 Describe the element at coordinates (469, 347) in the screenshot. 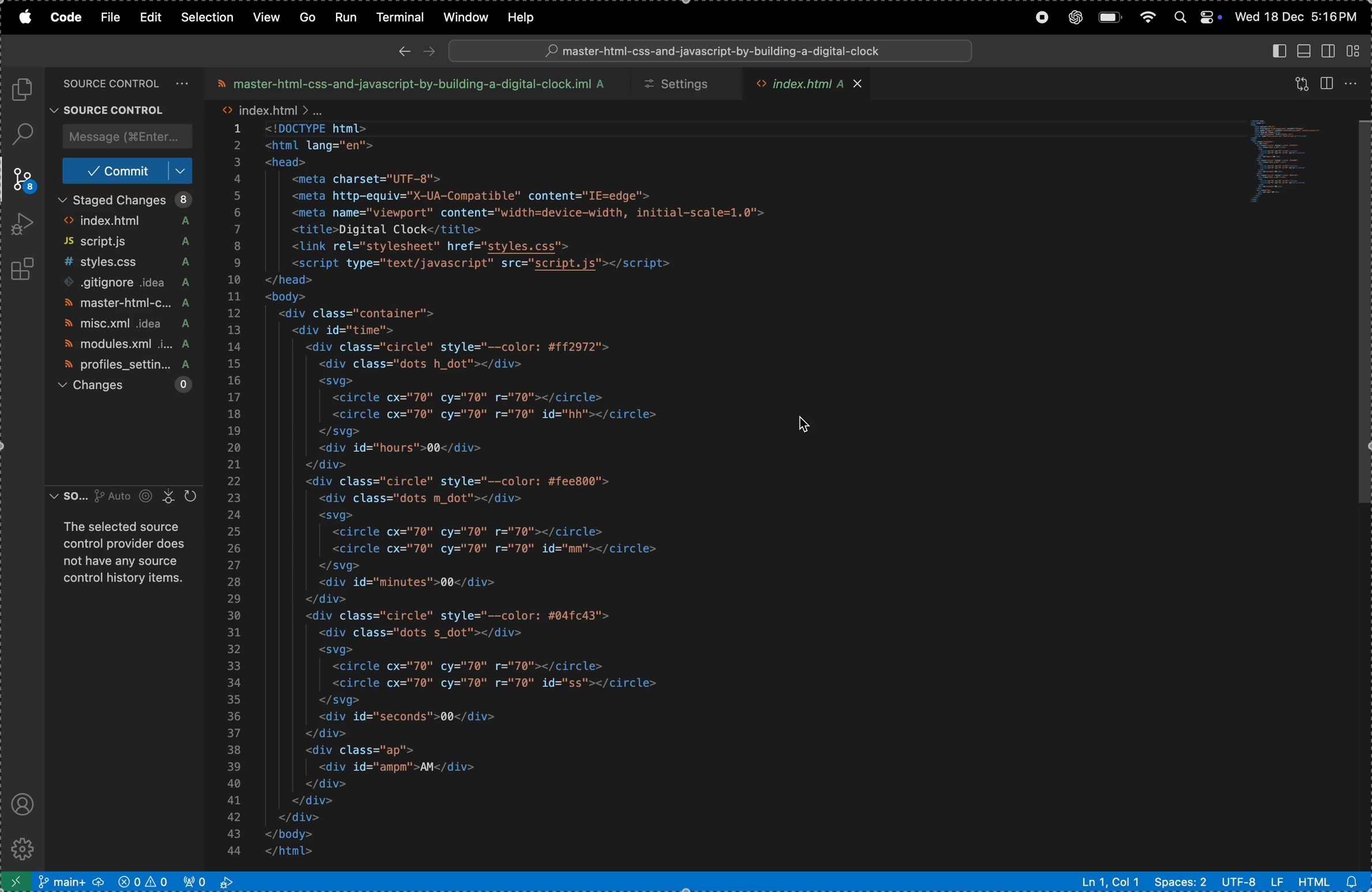

I see `<div class="circle" style="--color: #ff2972">` at that location.